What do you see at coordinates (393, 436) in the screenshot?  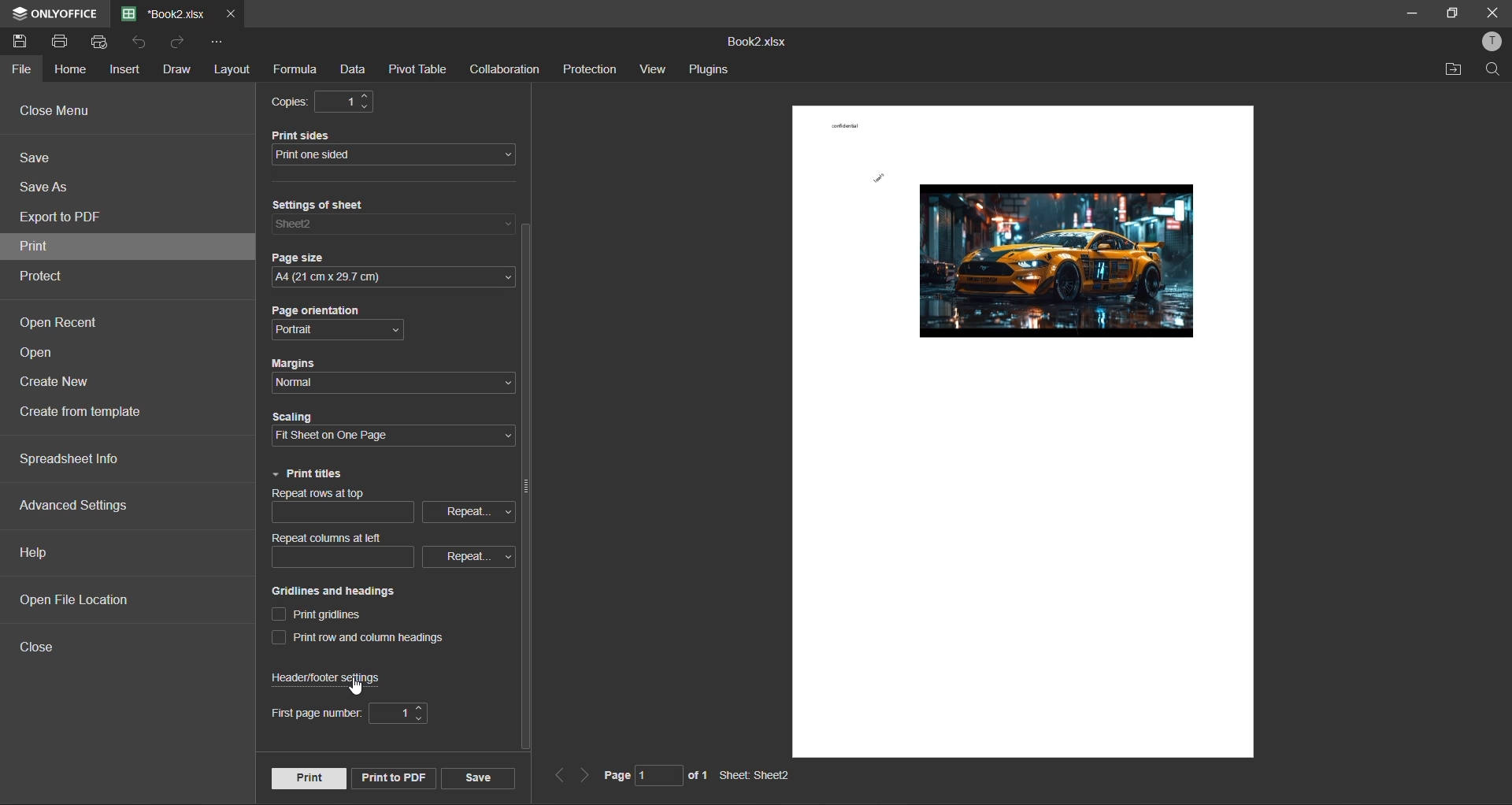 I see `scaling` at bounding box center [393, 436].